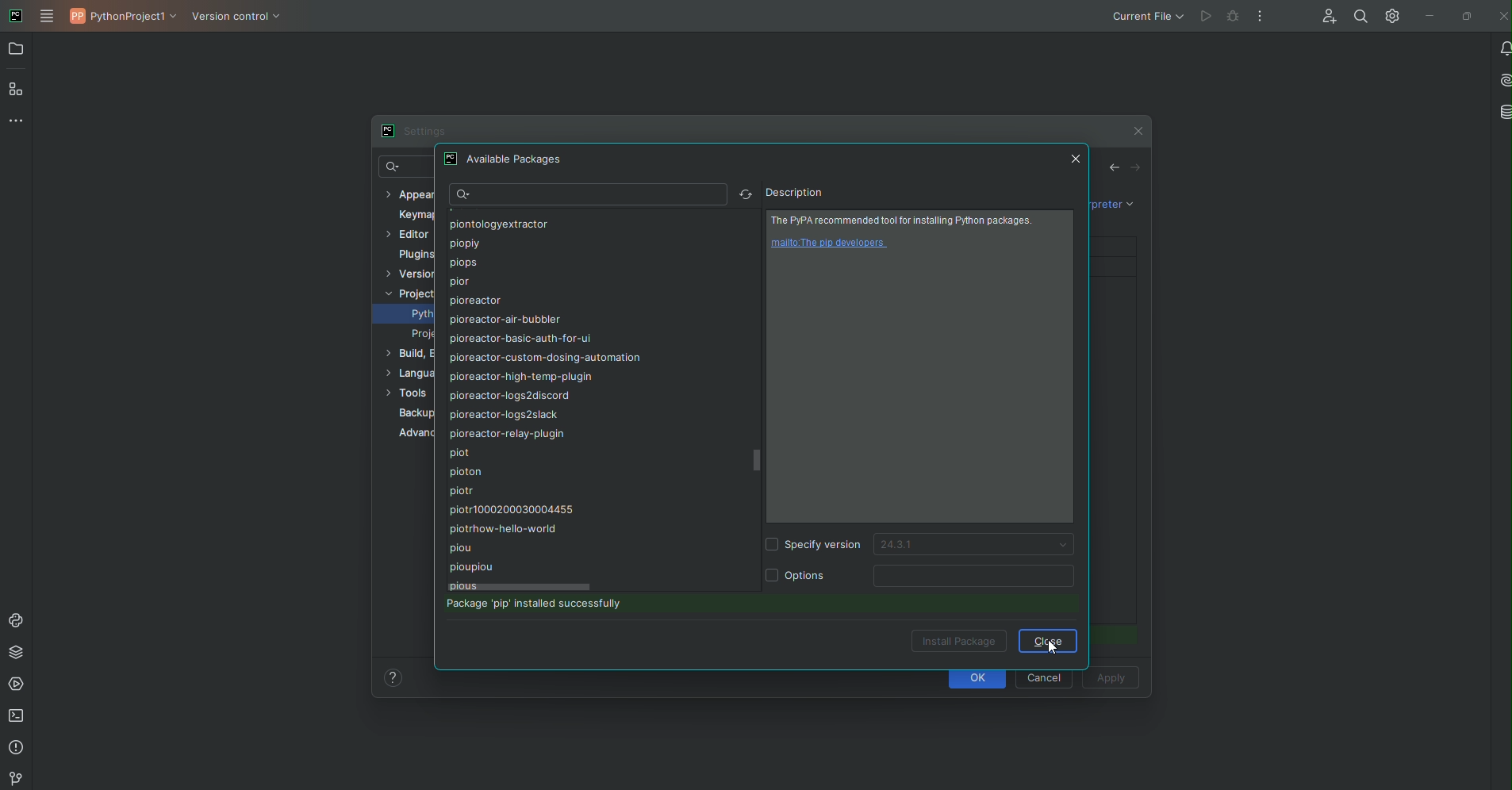  What do you see at coordinates (462, 453) in the screenshot?
I see `piot` at bounding box center [462, 453].